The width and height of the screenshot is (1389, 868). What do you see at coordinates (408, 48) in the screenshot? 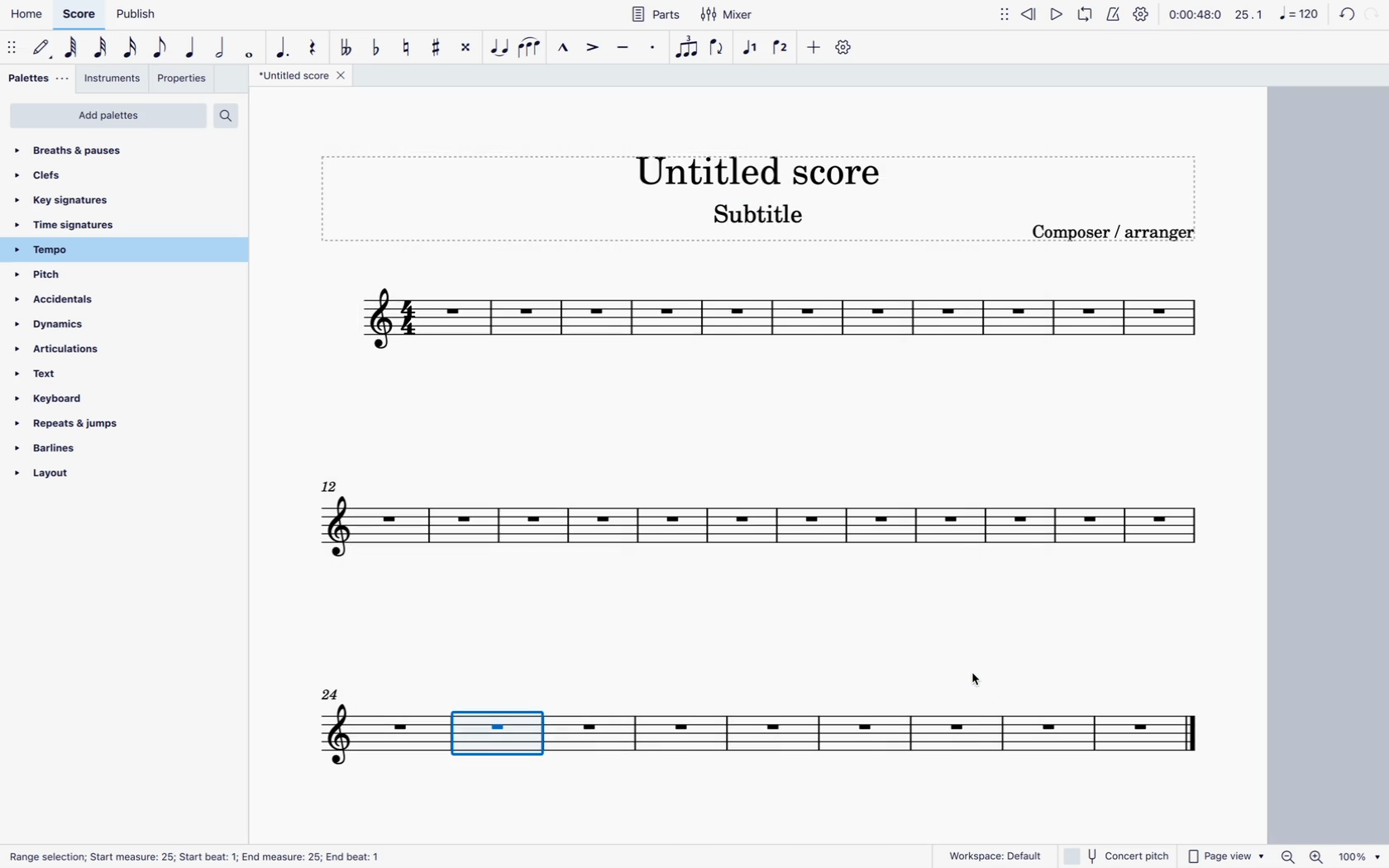
I see `toggle natural` at bounding box center [408, 48].